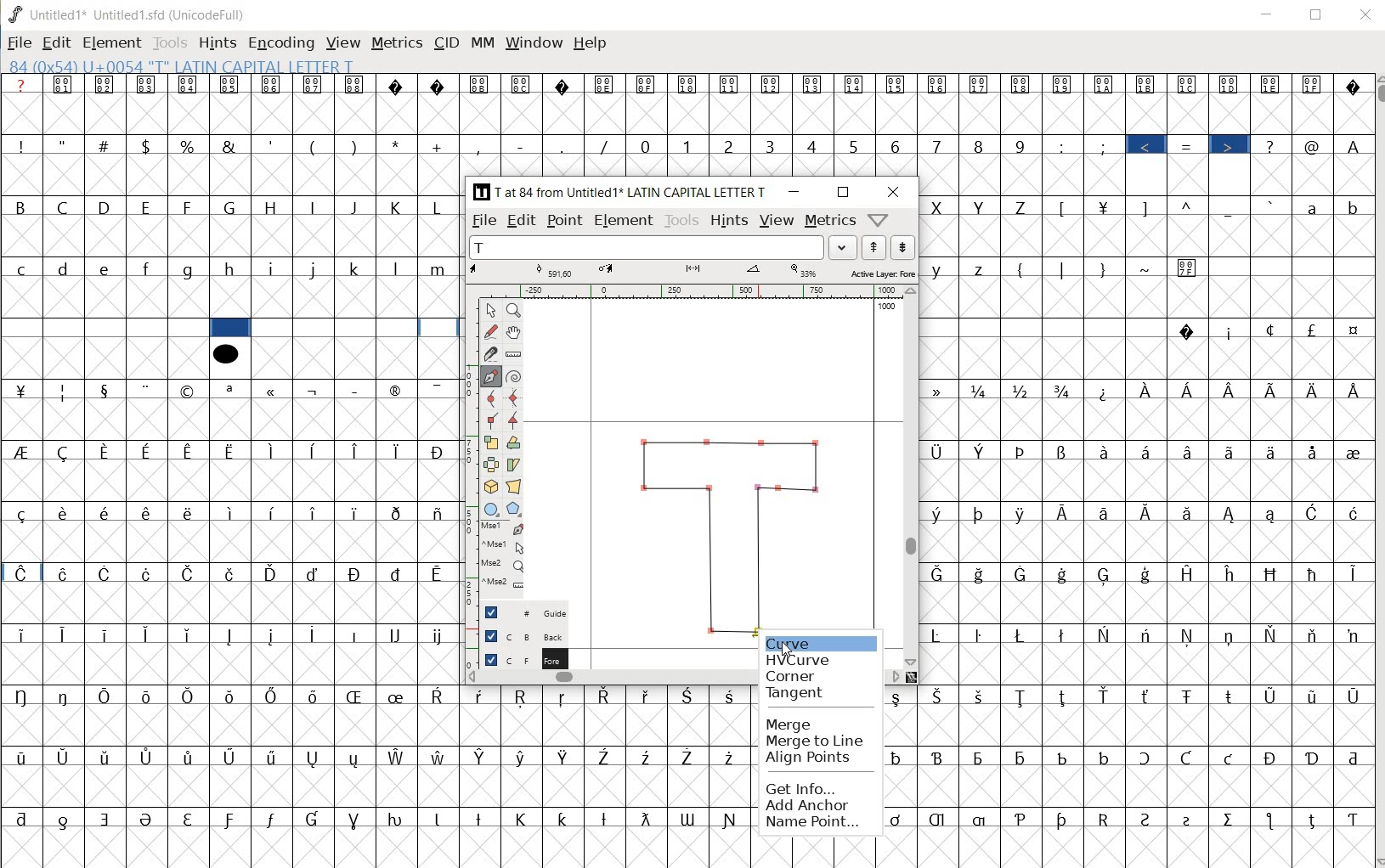 This screenshot has height=868, width=1385. What do you see at coordinates (108, 208) in the screenshot?
I see `D` at bounding box center [108, 208].